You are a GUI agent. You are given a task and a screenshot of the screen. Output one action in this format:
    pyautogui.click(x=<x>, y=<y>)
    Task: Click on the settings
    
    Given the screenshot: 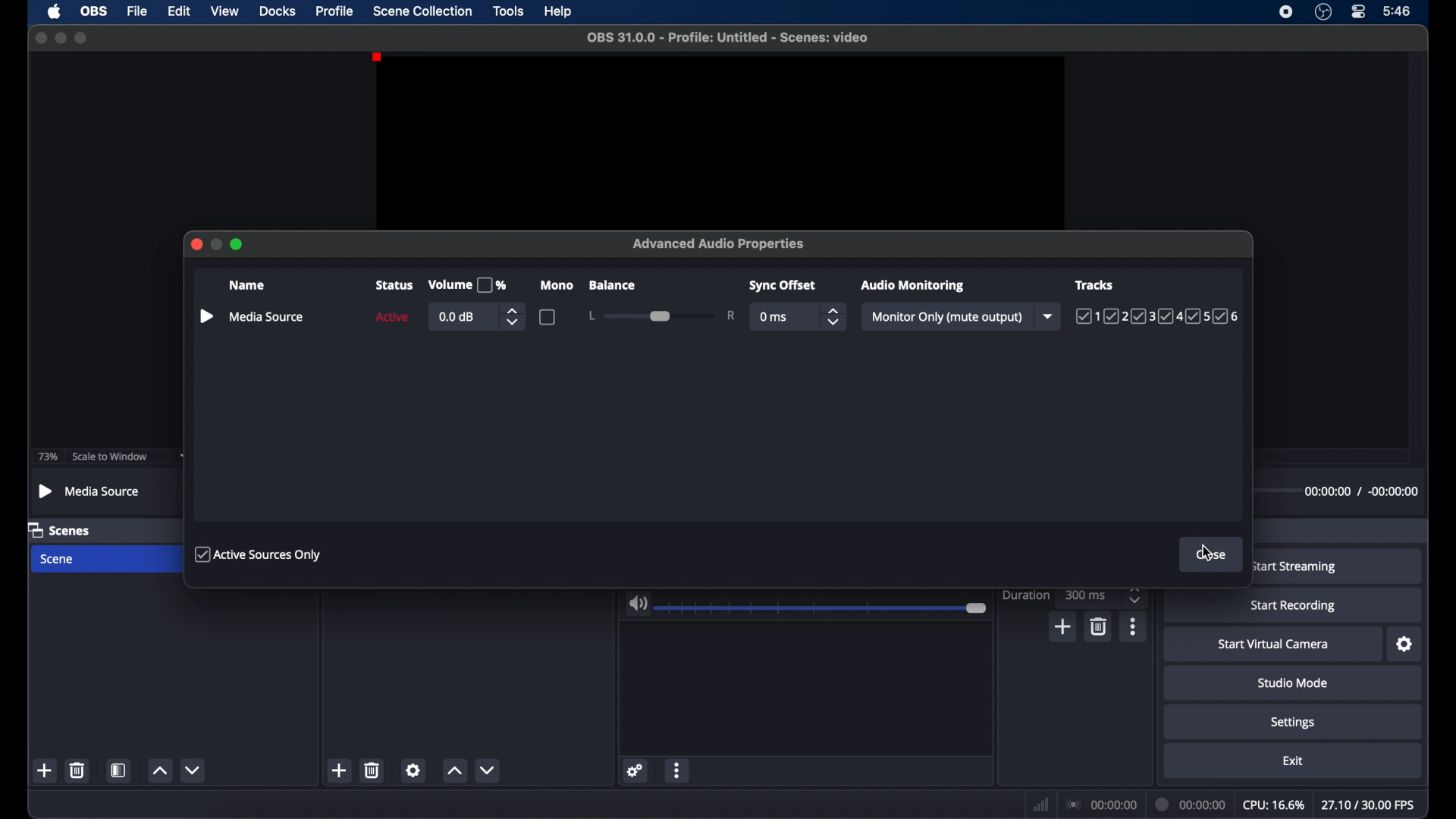 What is the action you would take?
    pyautogui.click(x=1405, y=645)
    